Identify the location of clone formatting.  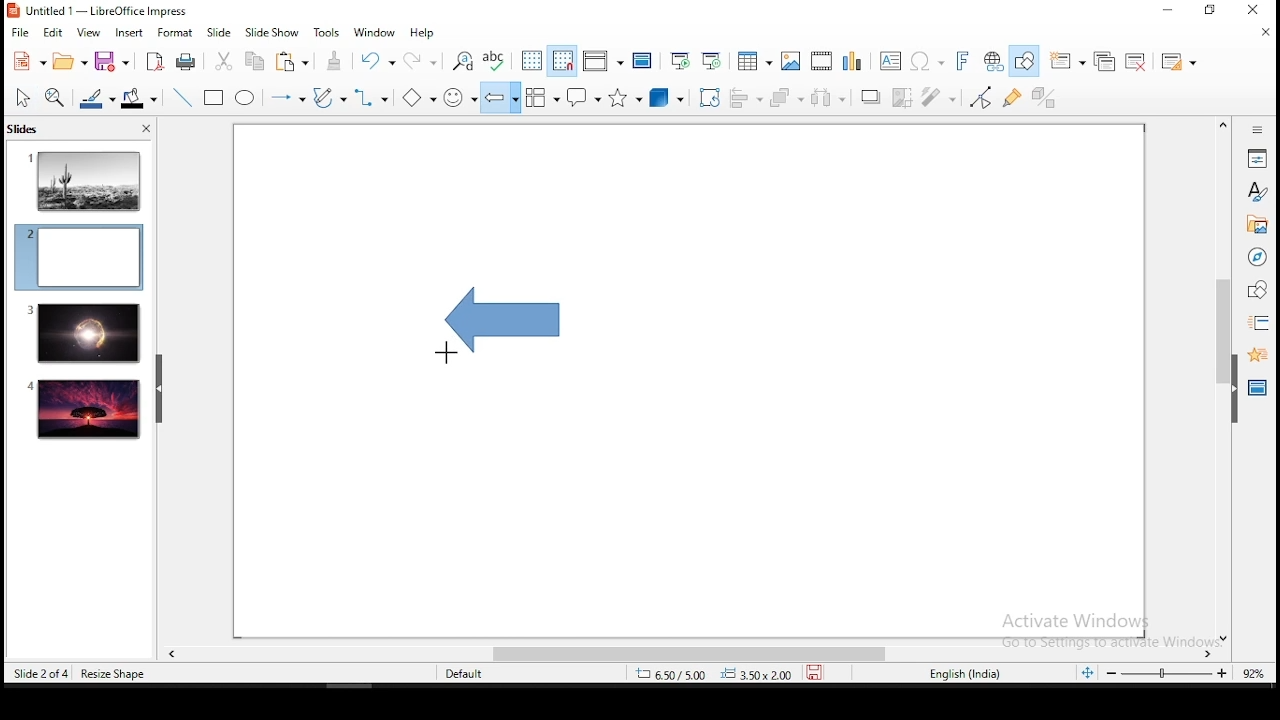
(335, 61).